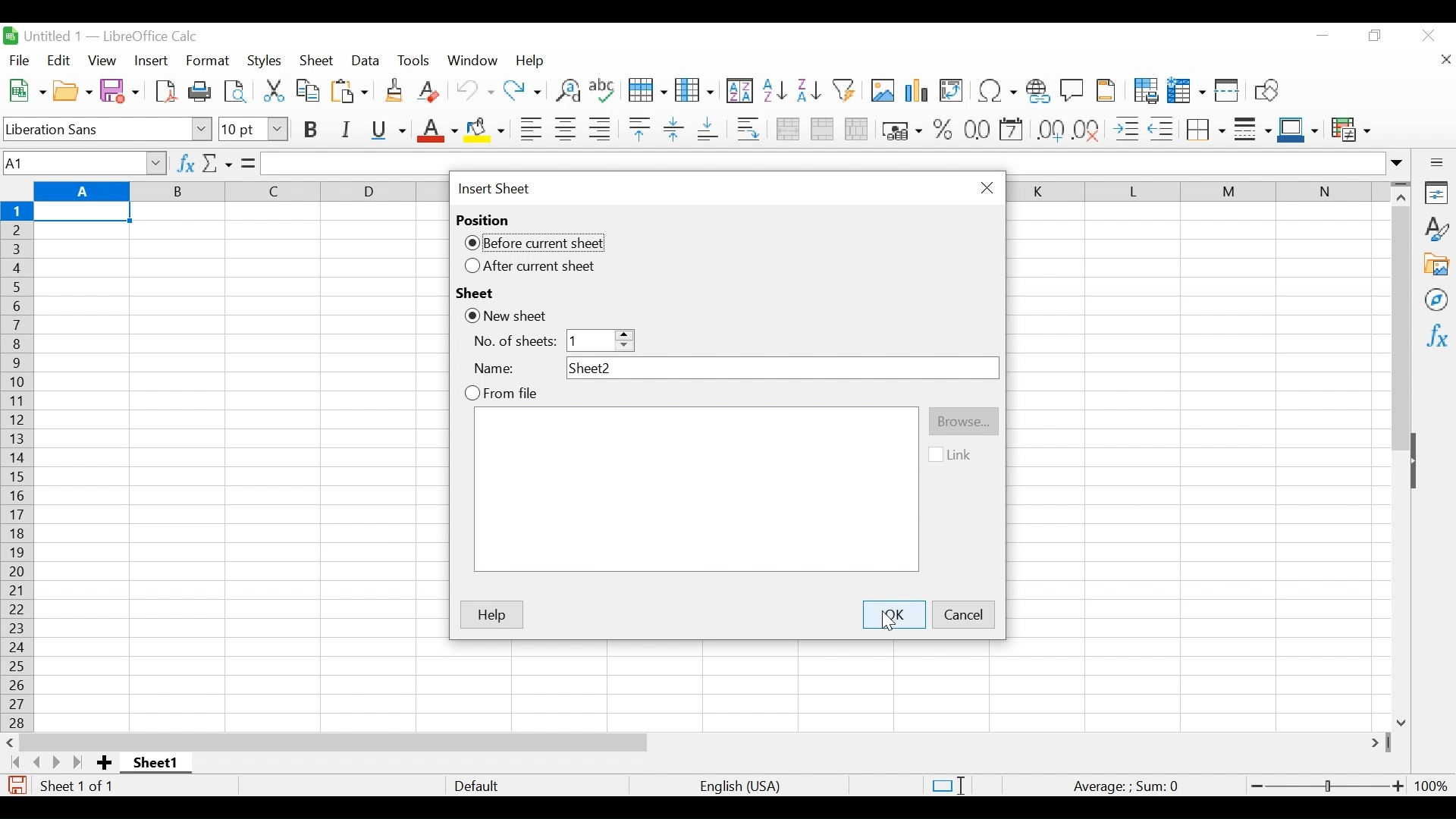 This screenshot has height=819, width=1456. I want to click on Gallery, so click(1436, 263).